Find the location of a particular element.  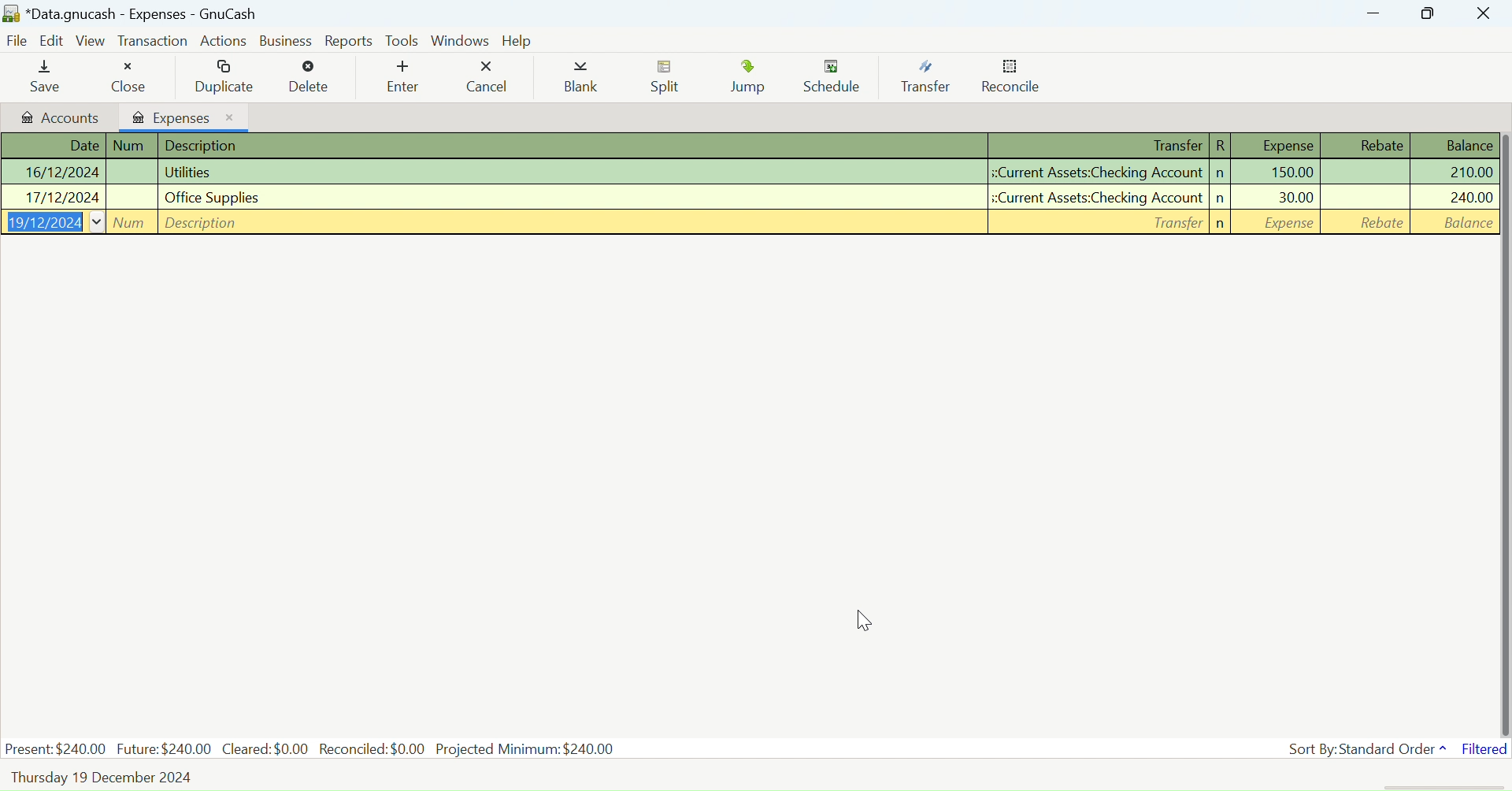

View is located at coordinates (91, 43).